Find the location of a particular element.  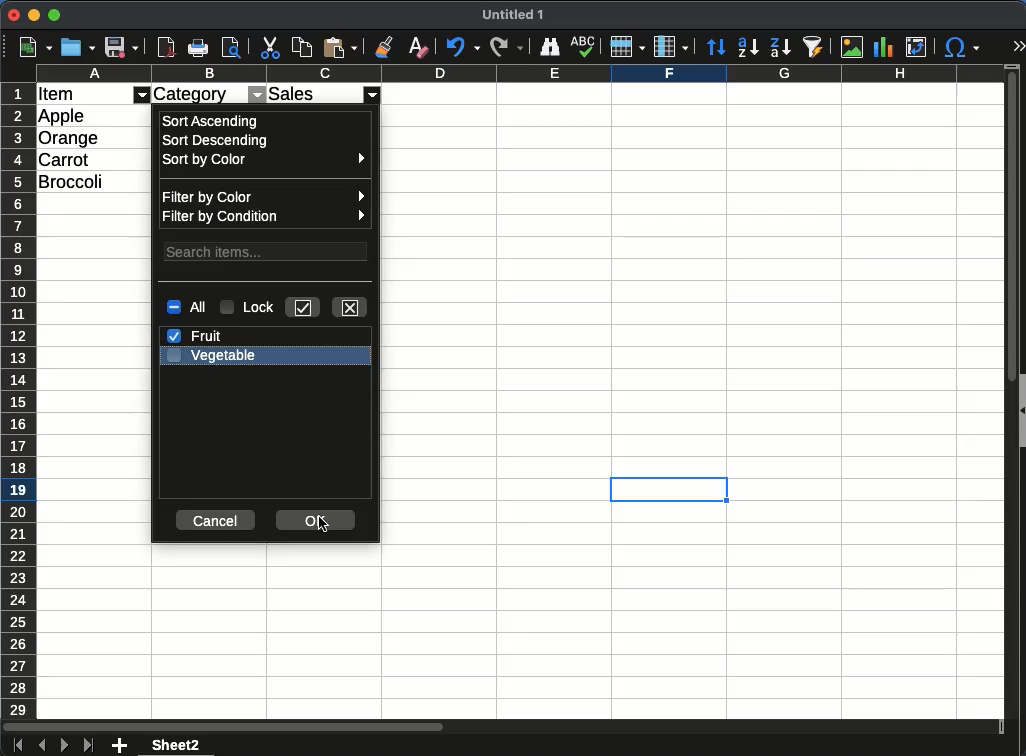

chart is located at coordinates (887, 47).